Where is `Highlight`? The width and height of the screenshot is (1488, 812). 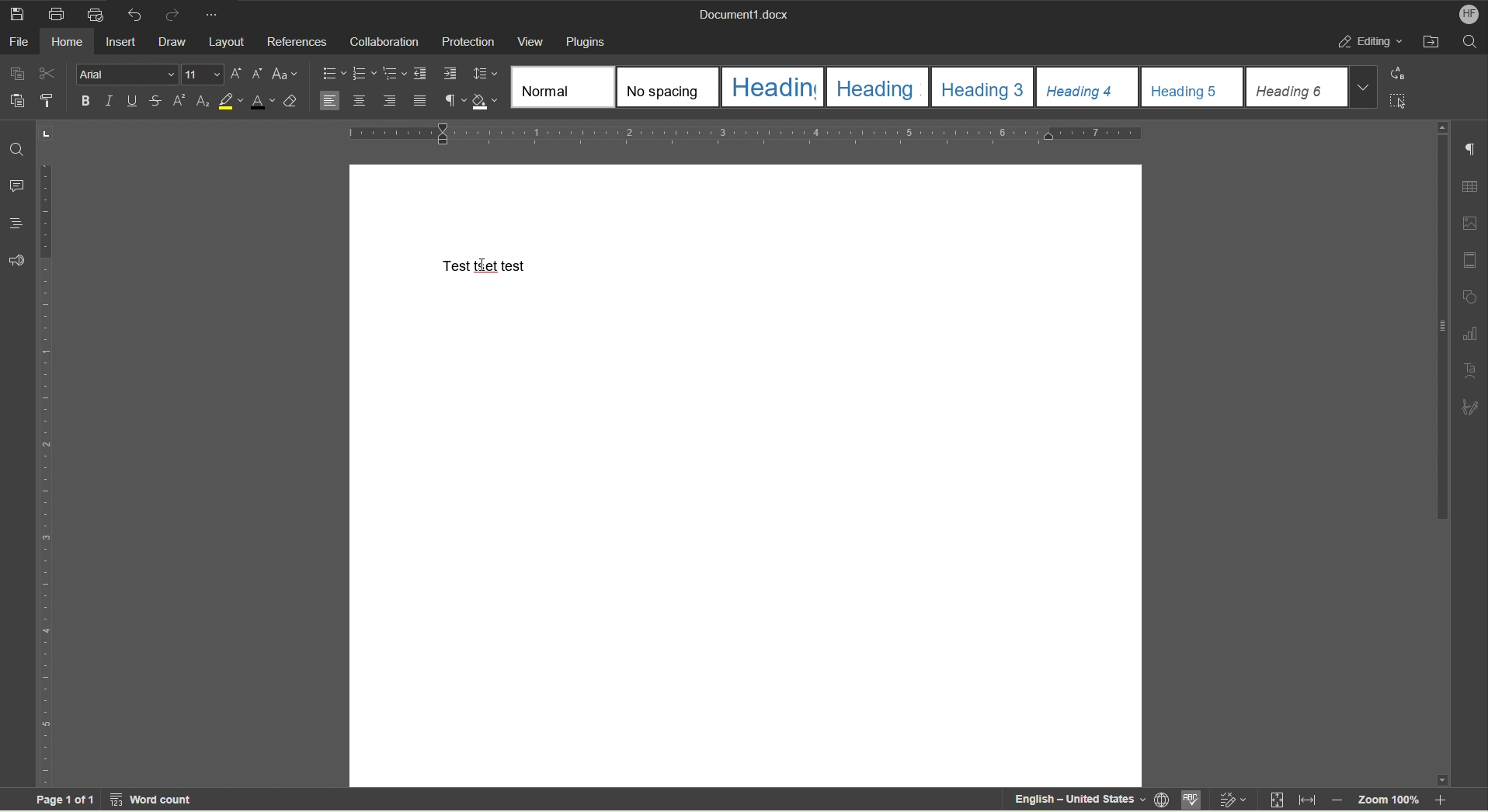
Highlight is located at coordinates (231, 102).